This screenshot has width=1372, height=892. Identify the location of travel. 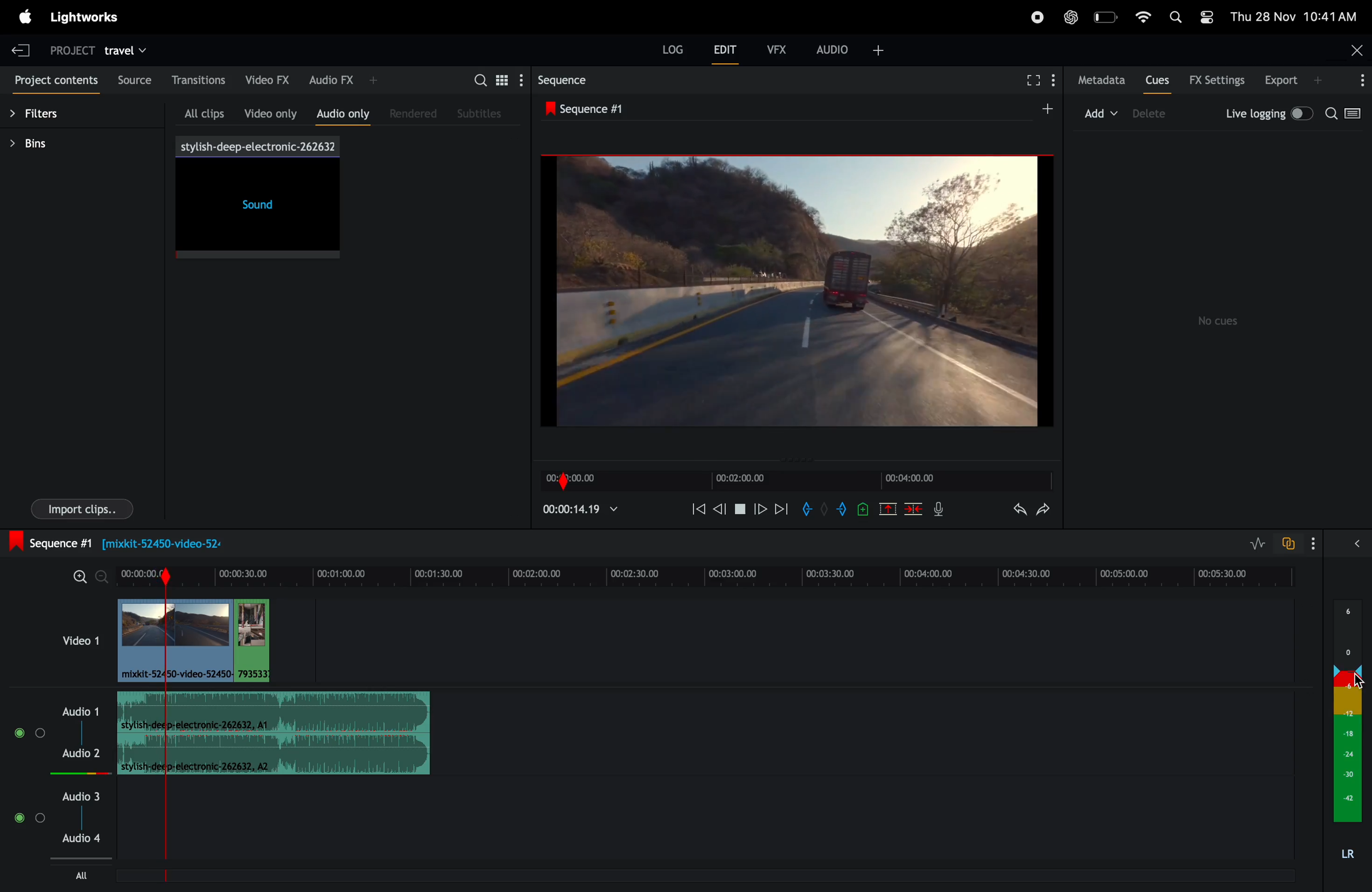
(126, 53).